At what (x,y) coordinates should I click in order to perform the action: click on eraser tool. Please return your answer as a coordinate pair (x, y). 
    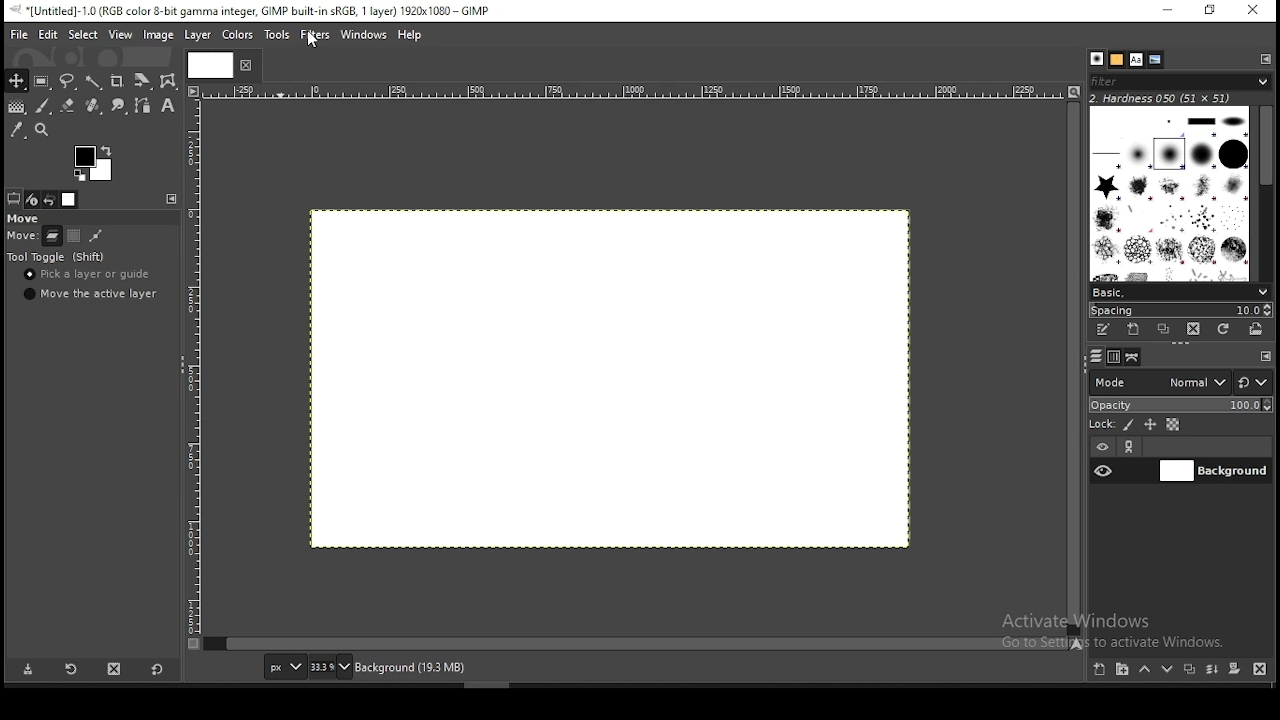
    Looking at the image, I should click on (95, 106).